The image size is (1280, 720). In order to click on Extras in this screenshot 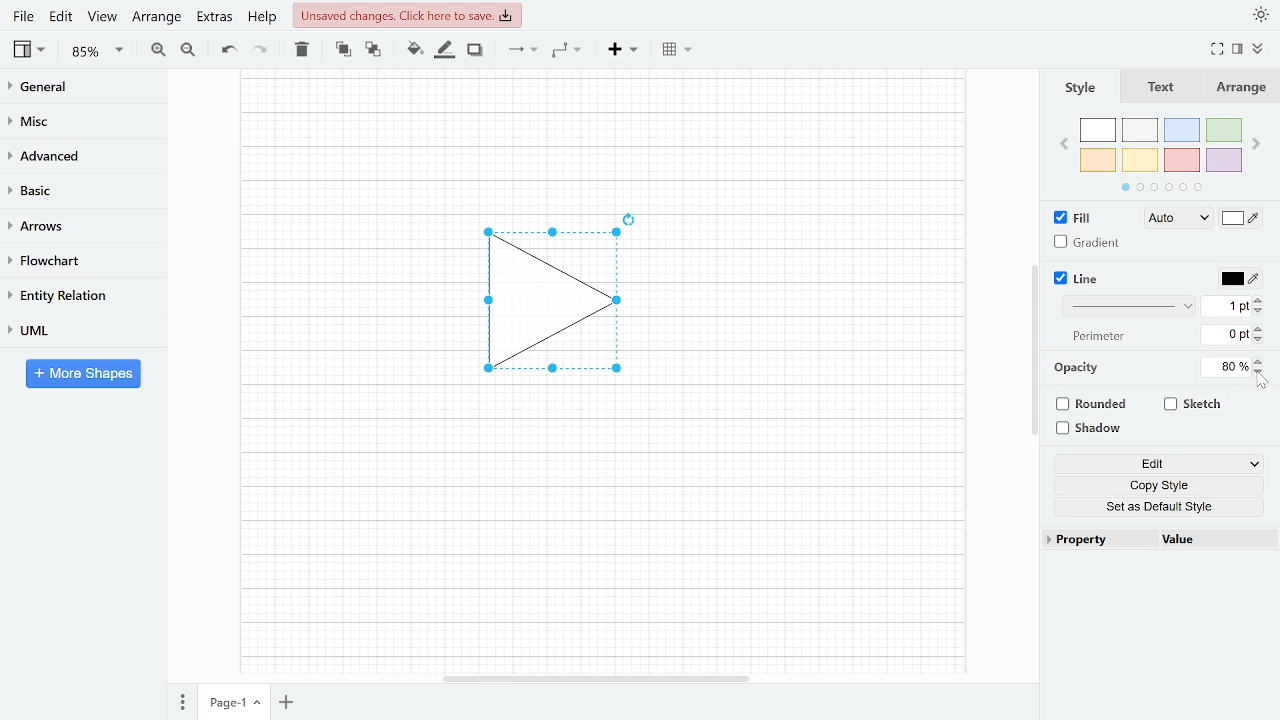, I will do `click(212, 16)`.